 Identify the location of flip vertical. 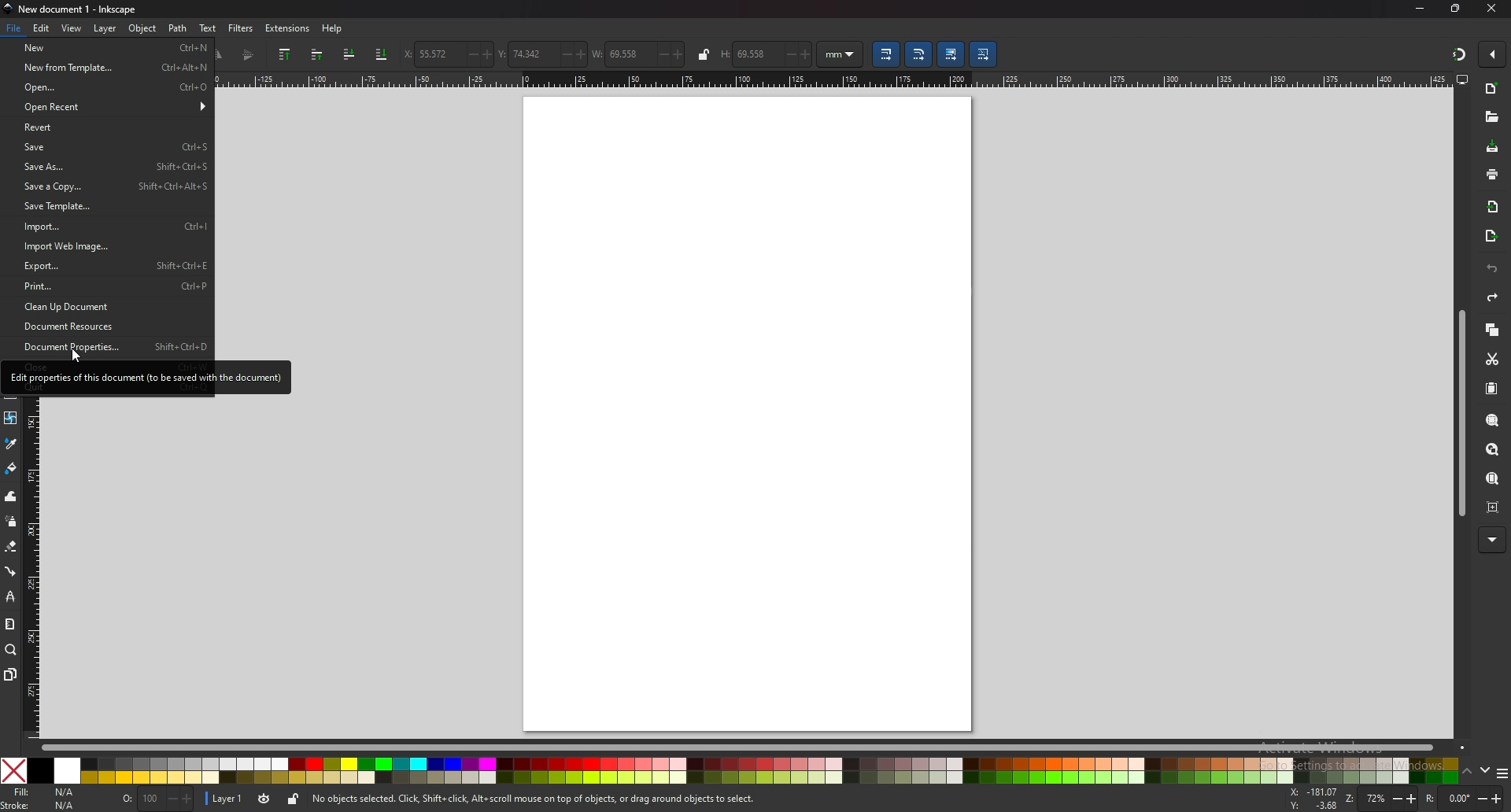
(247, 56).